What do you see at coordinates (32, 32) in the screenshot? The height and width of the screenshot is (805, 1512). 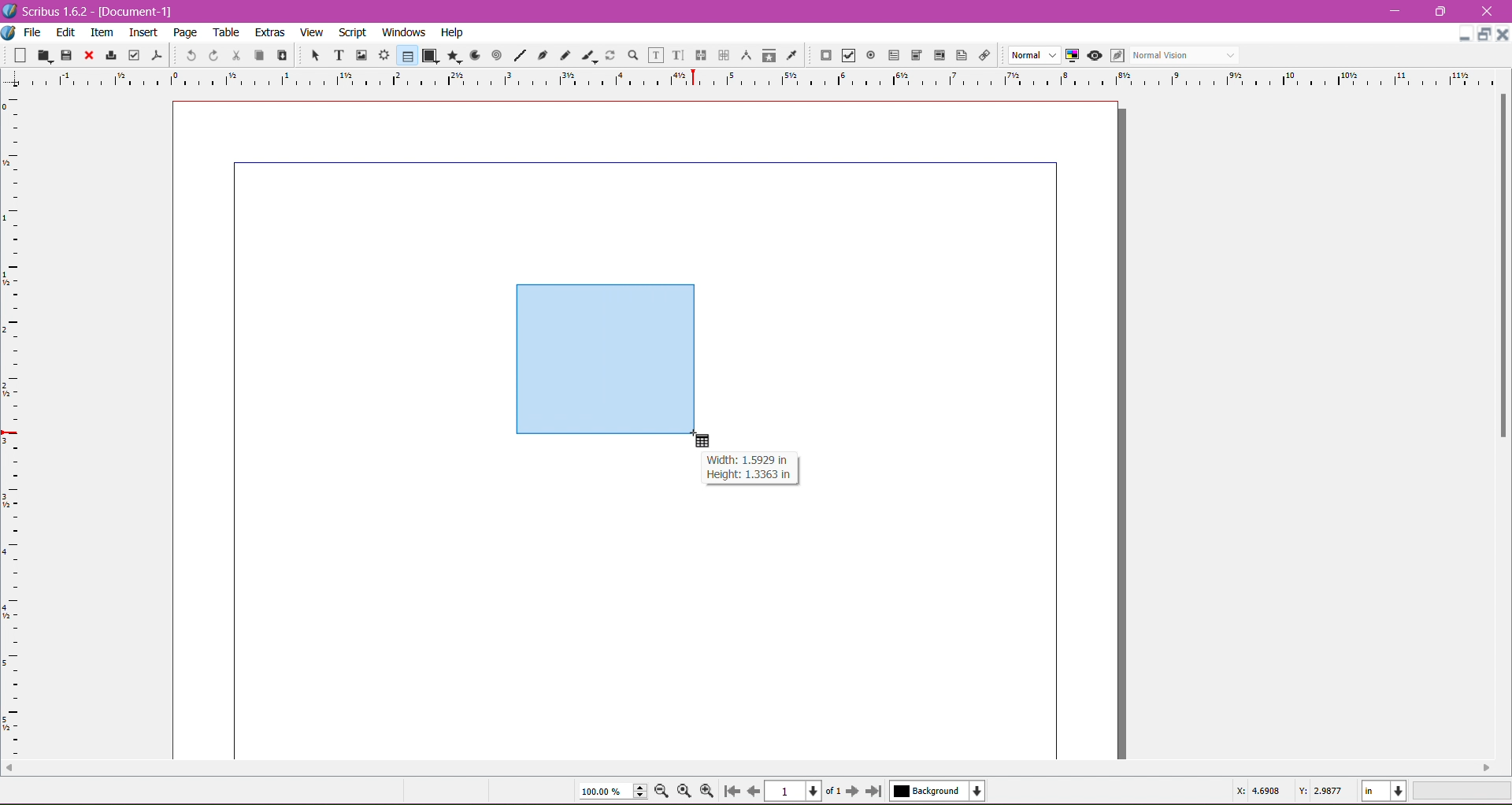 I see `File` at bounding box center [32, 32].